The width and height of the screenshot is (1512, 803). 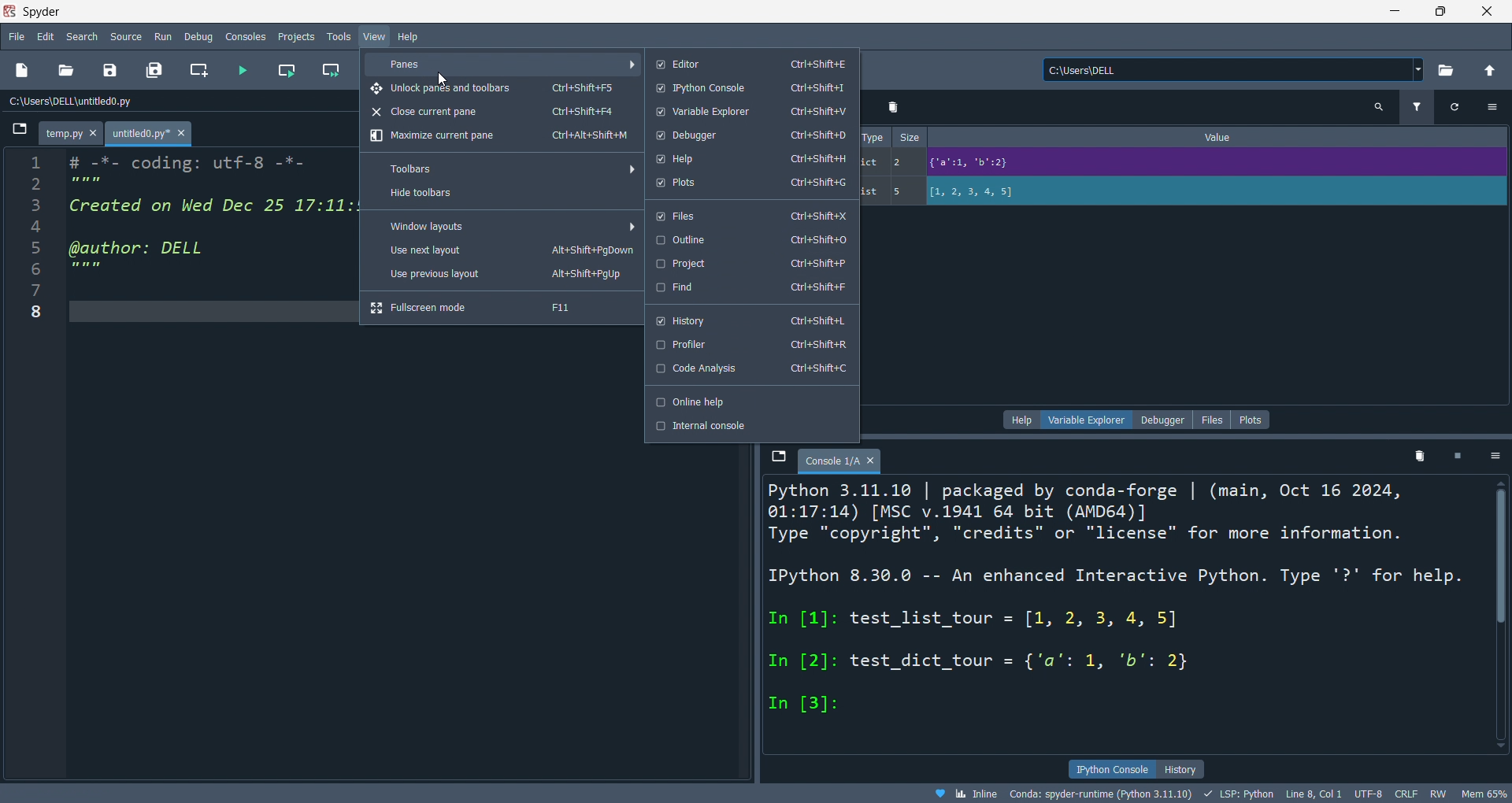 What do you see at coordinates (875, 165) in the screenshot?
I see `type` at bounding box center [875, 165].